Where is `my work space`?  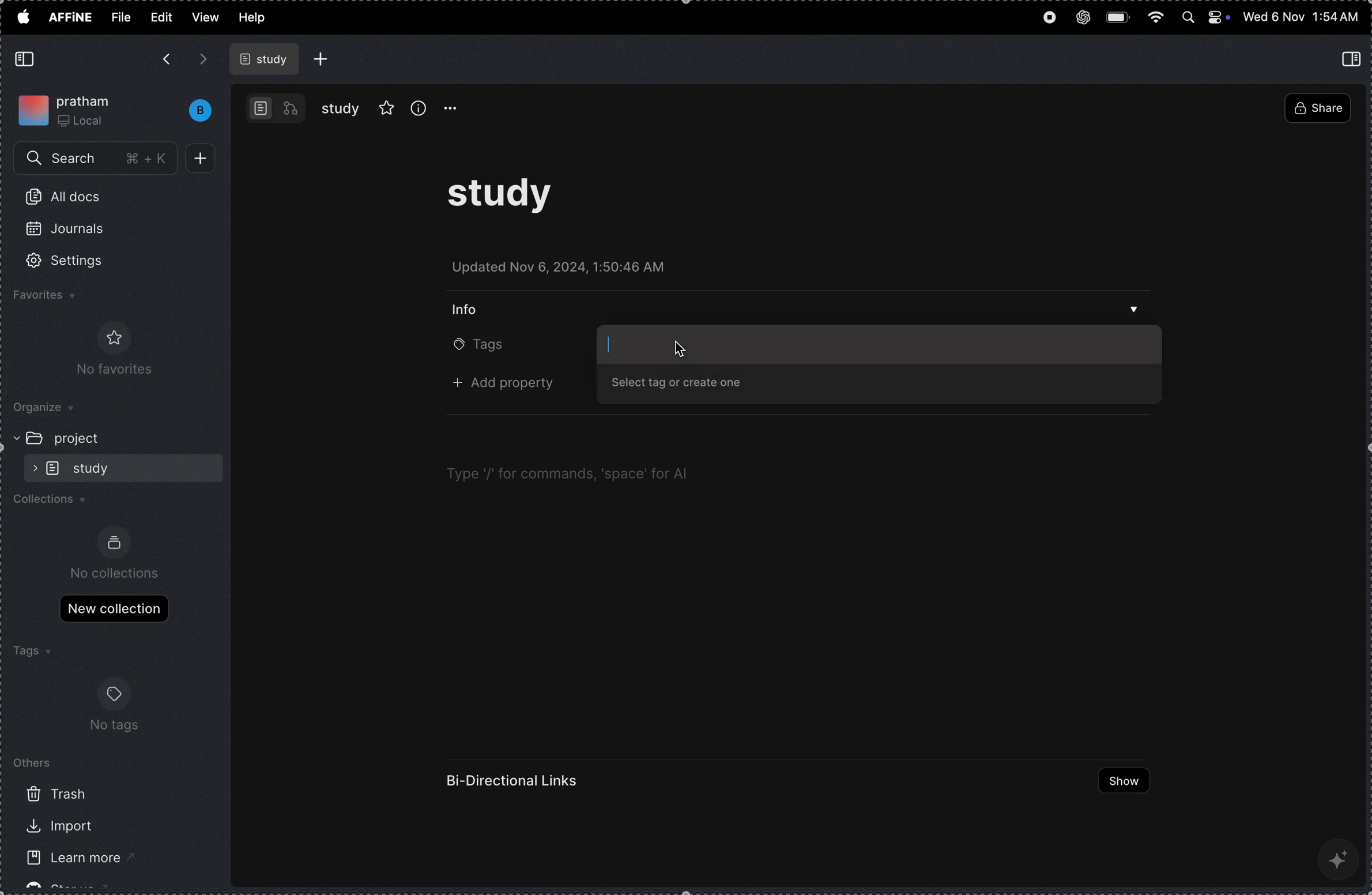 my work space is located at coordinates (69, 108).